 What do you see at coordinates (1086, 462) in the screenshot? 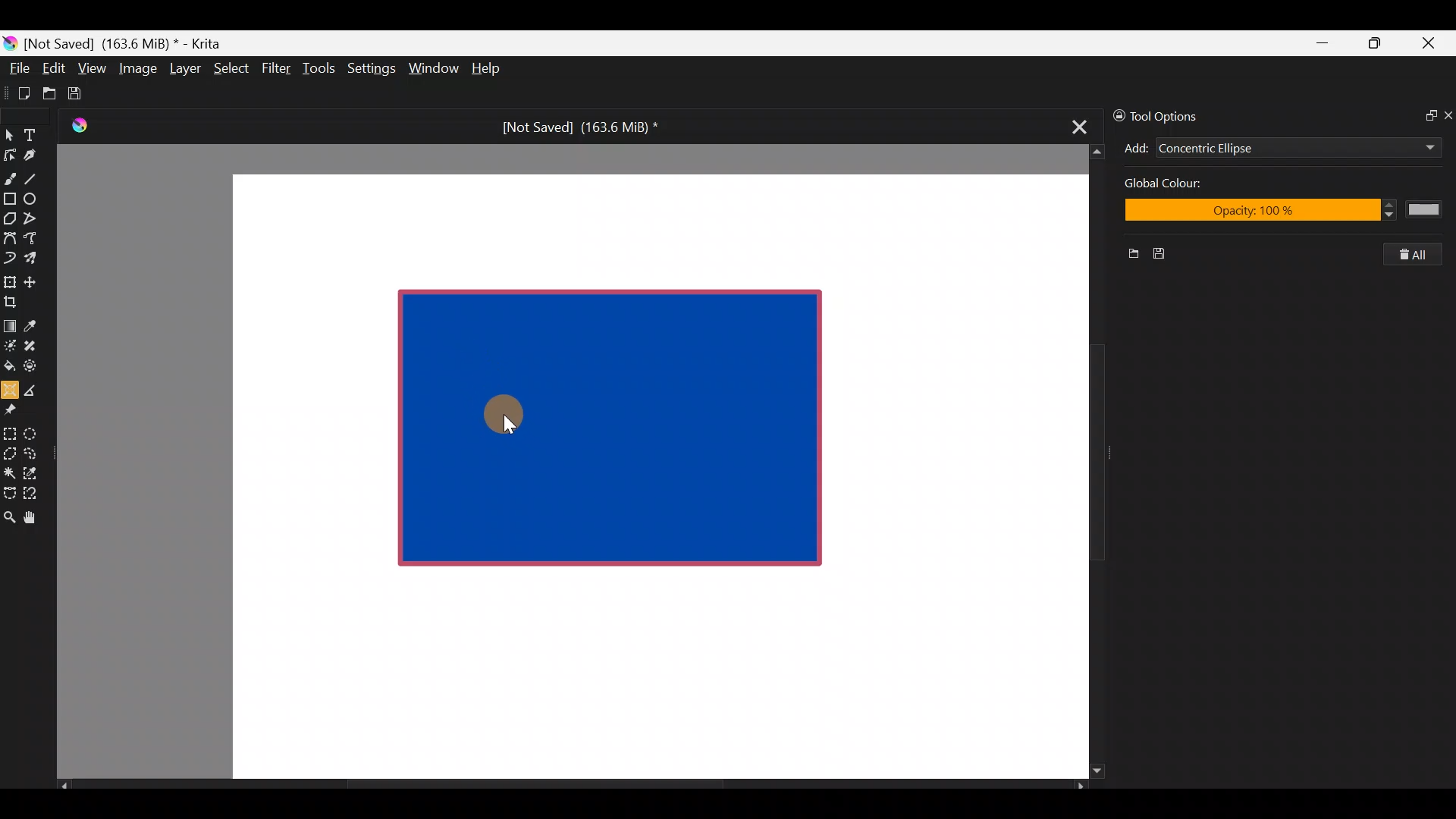
I see `Scroll bar` at bounding box center [1086, 462].